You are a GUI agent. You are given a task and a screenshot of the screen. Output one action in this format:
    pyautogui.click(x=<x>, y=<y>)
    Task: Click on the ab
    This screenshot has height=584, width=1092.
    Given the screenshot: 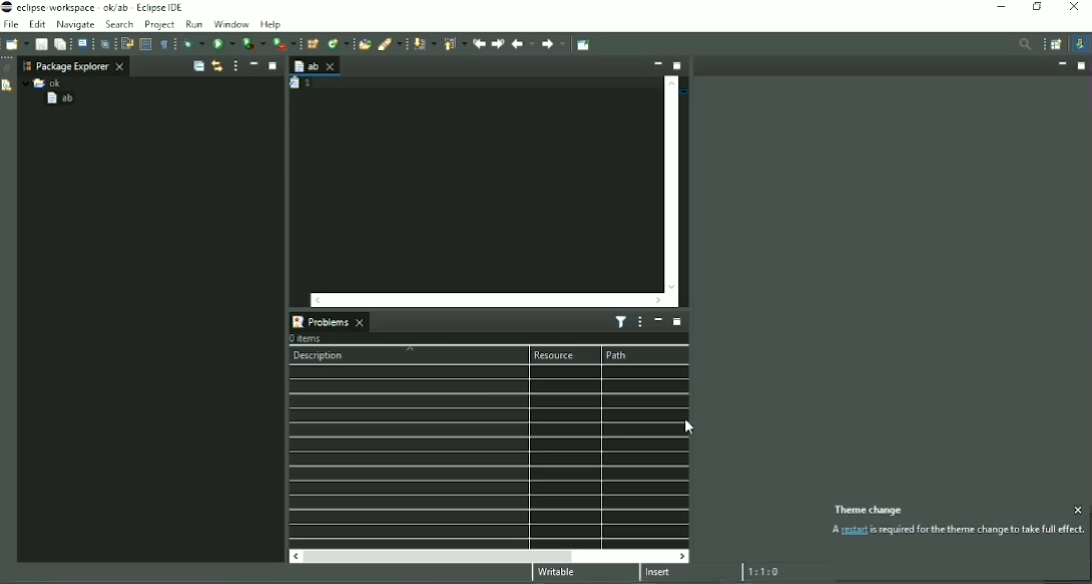 What is the action you would take?
    pyautogui.click(x=62, y=99)
    